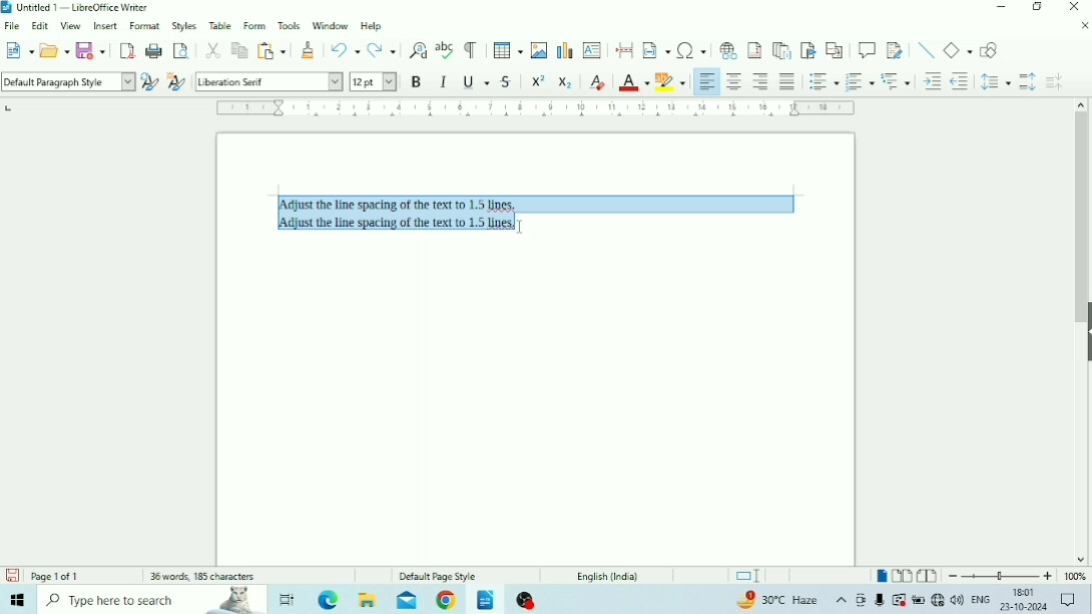 This screenshot has width=1092, height=614. Describe the element at coordinates (1082, 192) in the screenshot. I see `Vertical scrollbar` at that location.